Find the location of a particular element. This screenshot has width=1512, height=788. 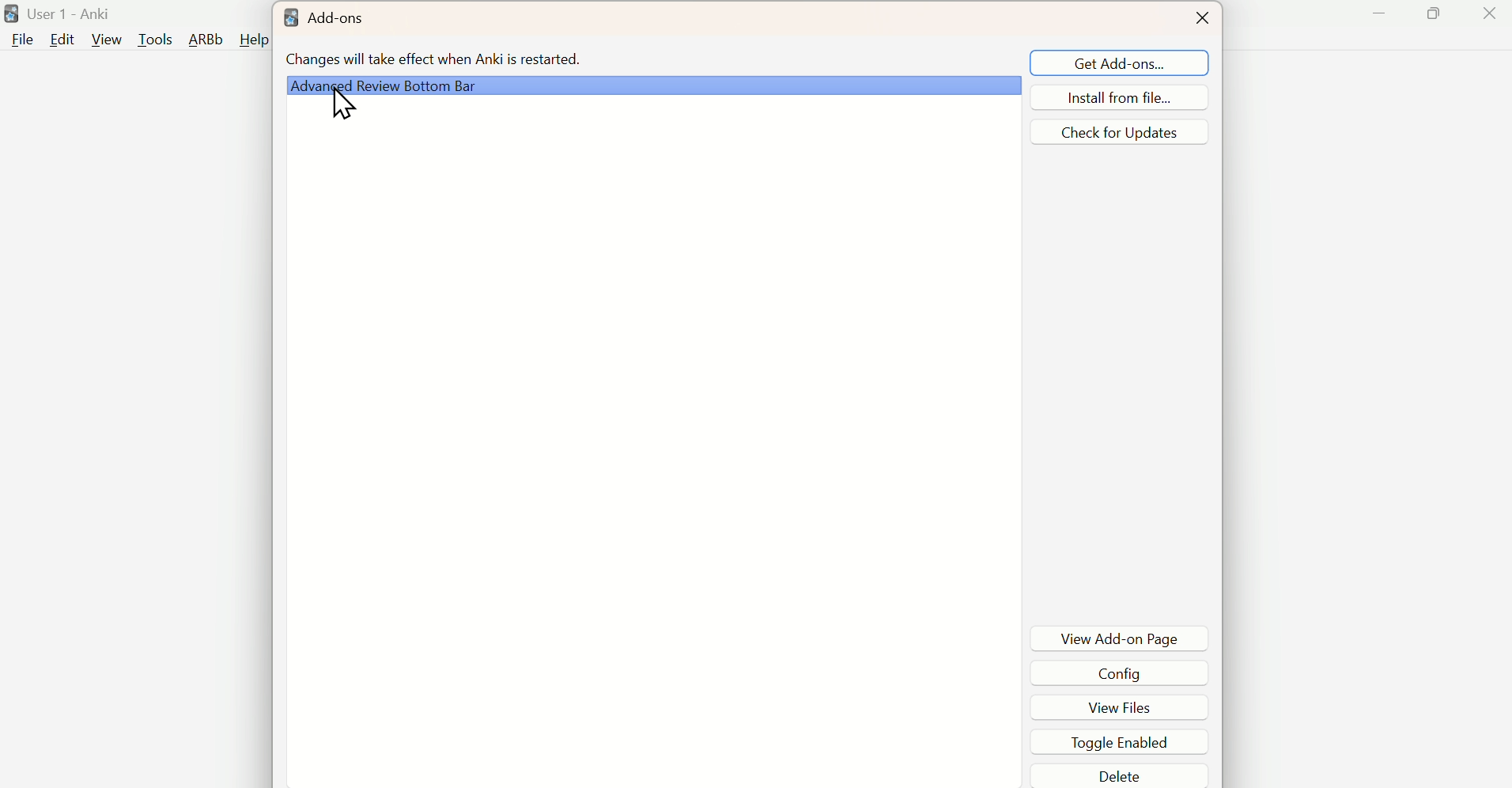

cursor is located at coordinates (346, 110).